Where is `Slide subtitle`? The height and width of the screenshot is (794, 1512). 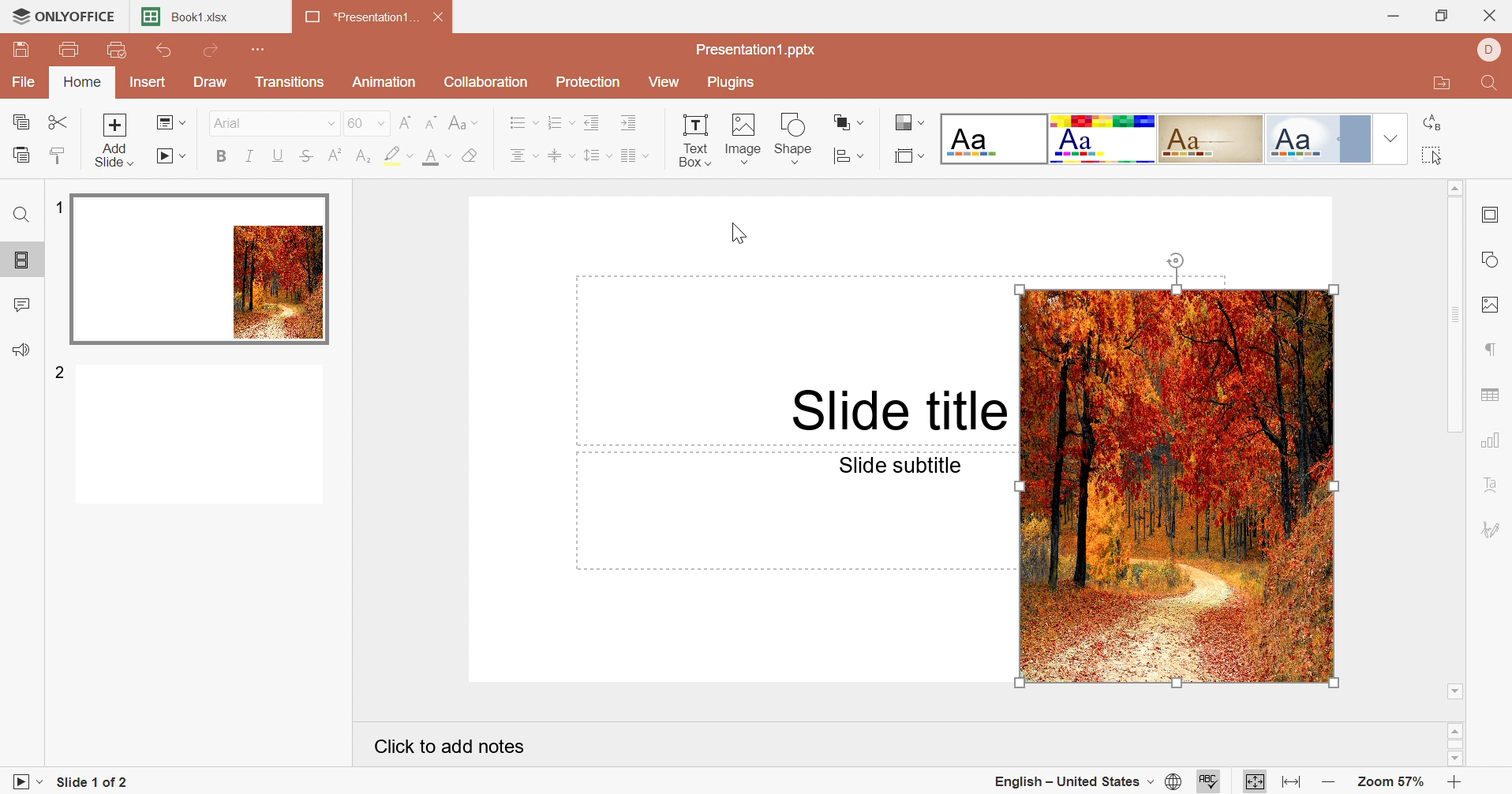
Slide subtitle is located at coordinates (903, 466).